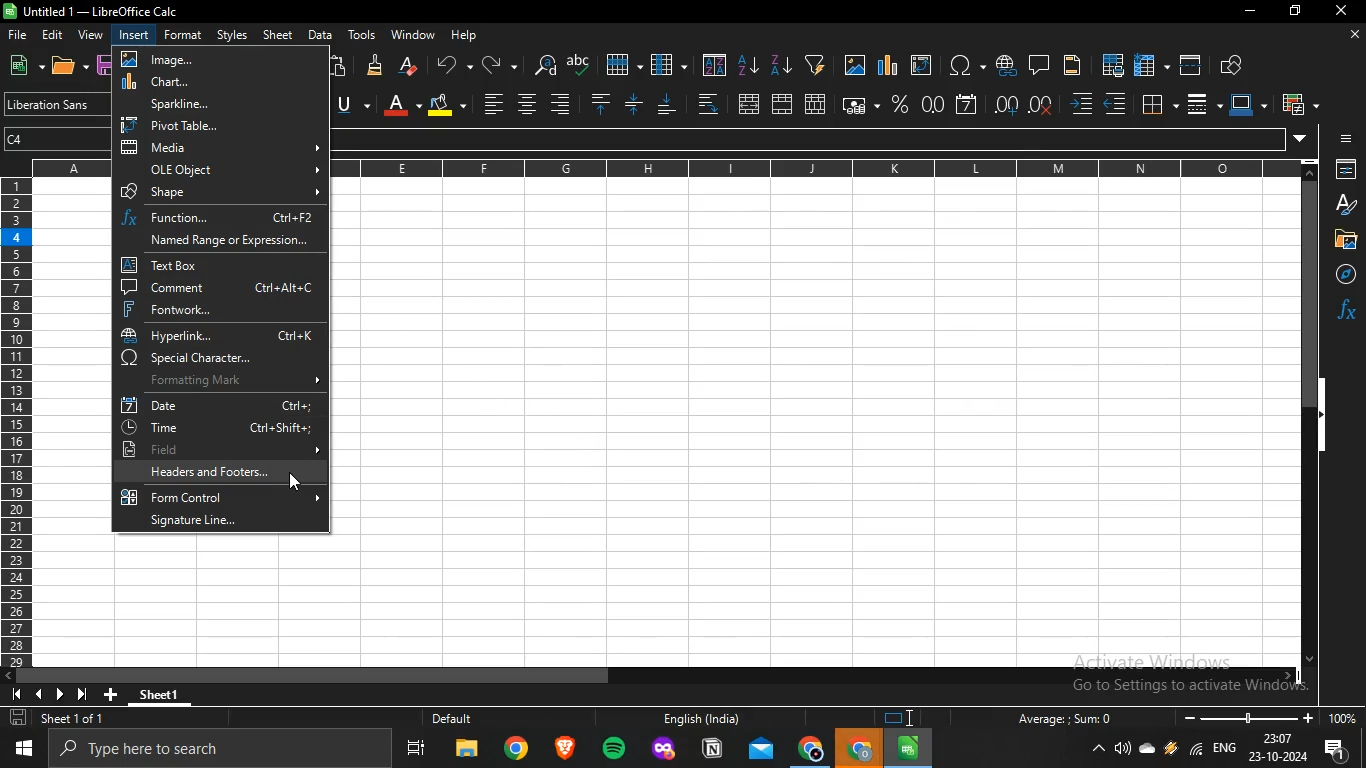  What do you see at coordinates (1247, 11) in the screenshot?
I see `minimize` at bounding box center [1247, 11].